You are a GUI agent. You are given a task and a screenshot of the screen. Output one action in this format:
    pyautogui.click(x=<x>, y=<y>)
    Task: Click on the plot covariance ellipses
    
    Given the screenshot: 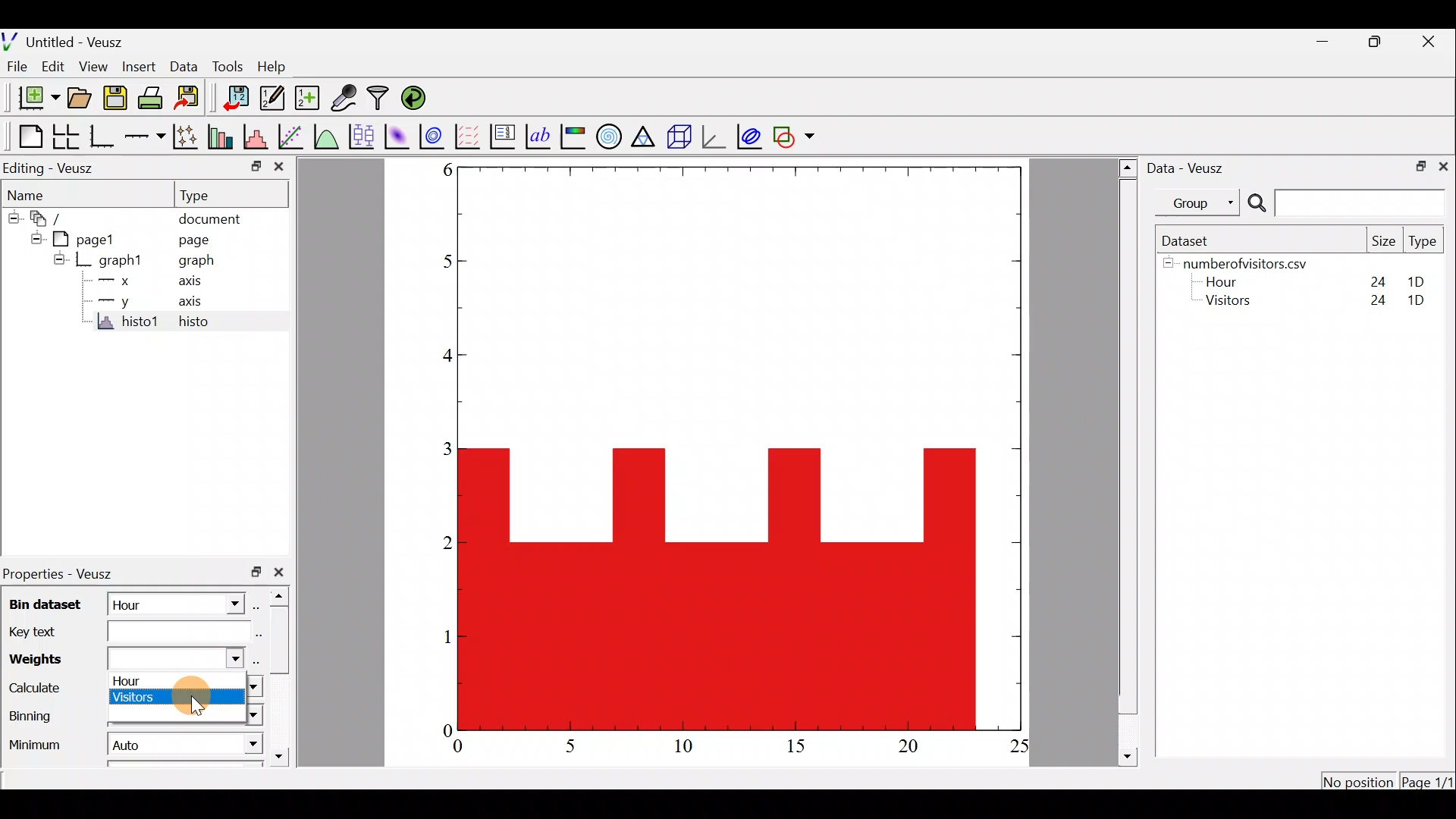 What is the action you would take?
    pyautogui.click(x=747, y=139)
    